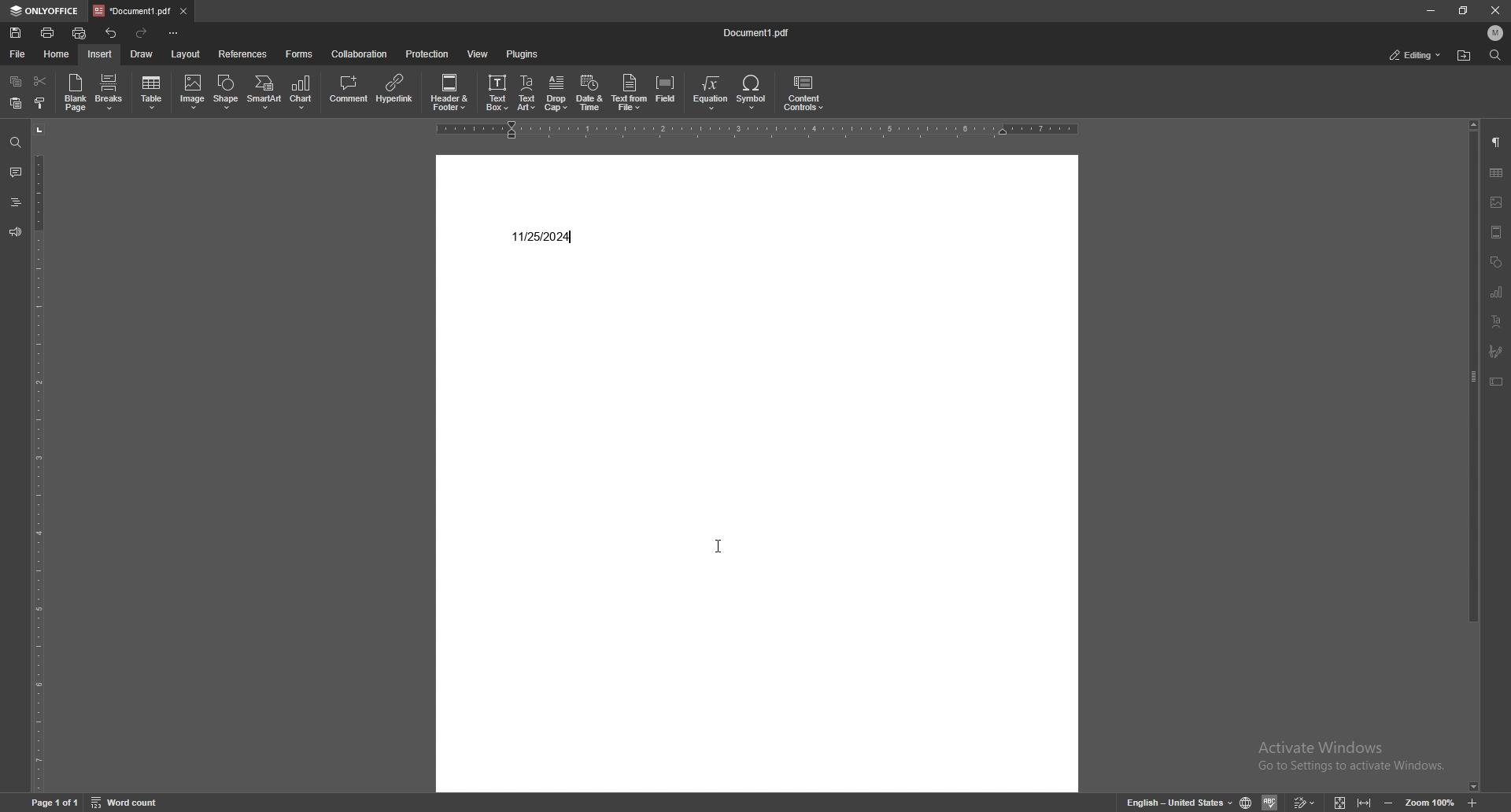 The image size is (1511, 812). What do you see at coordinates (15, 232) in the screenshot?
I see `feedback` at bounding box center [15, 232].